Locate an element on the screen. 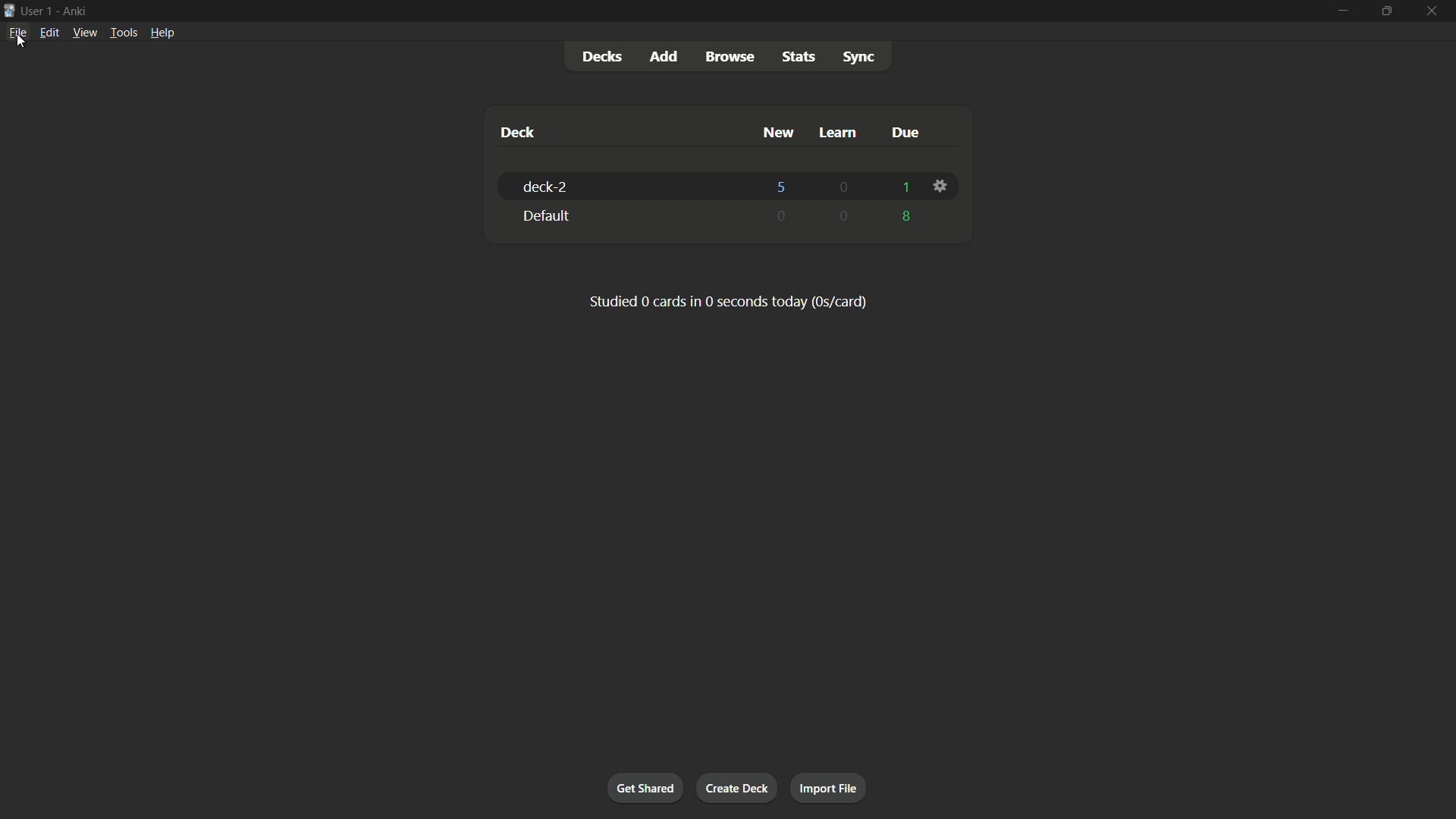  Studied 0 cards in 0 seconds today (0s/card) is located at coordinates (729, 301).